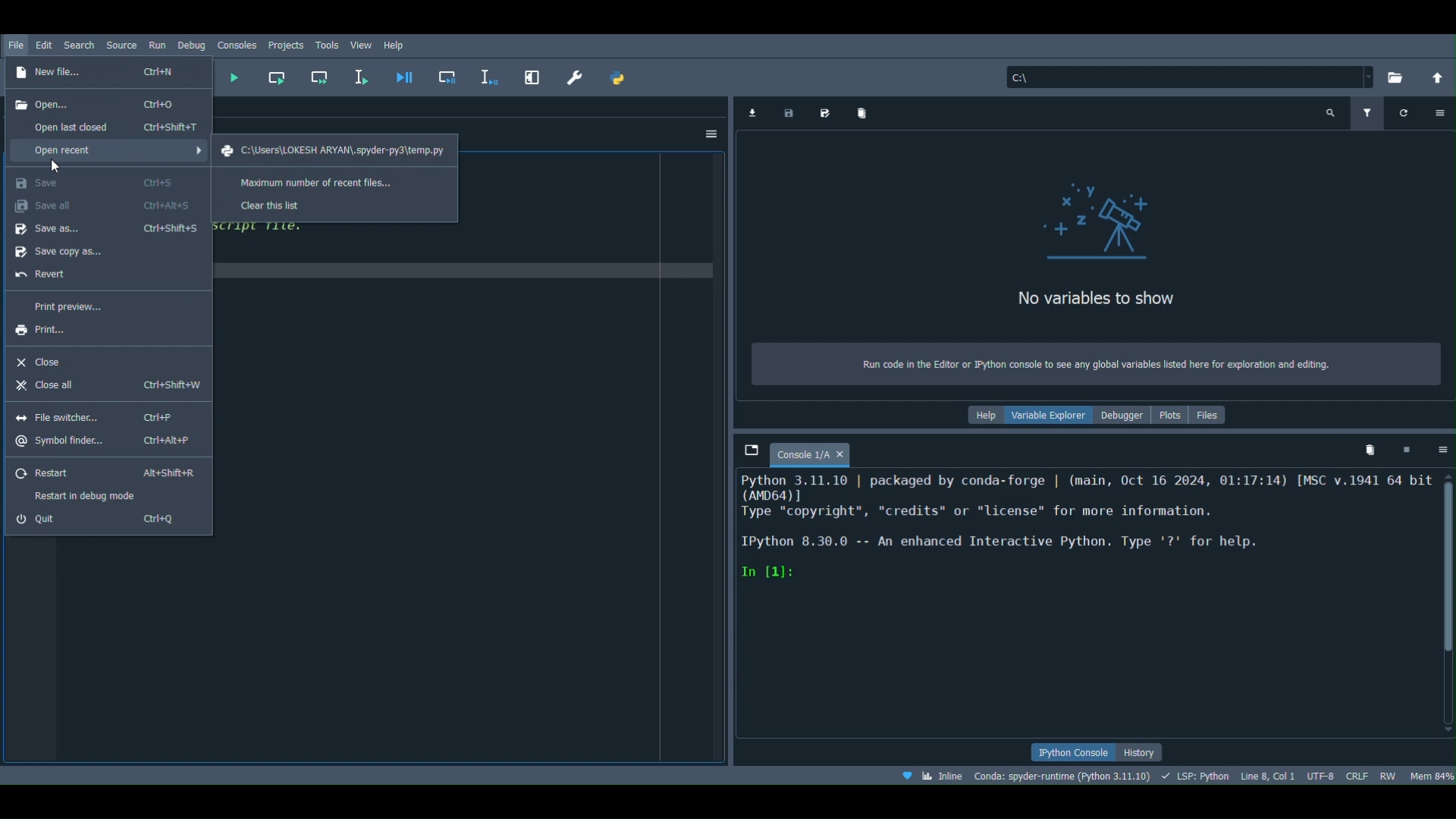  I want to click on File, so click(17, 47).